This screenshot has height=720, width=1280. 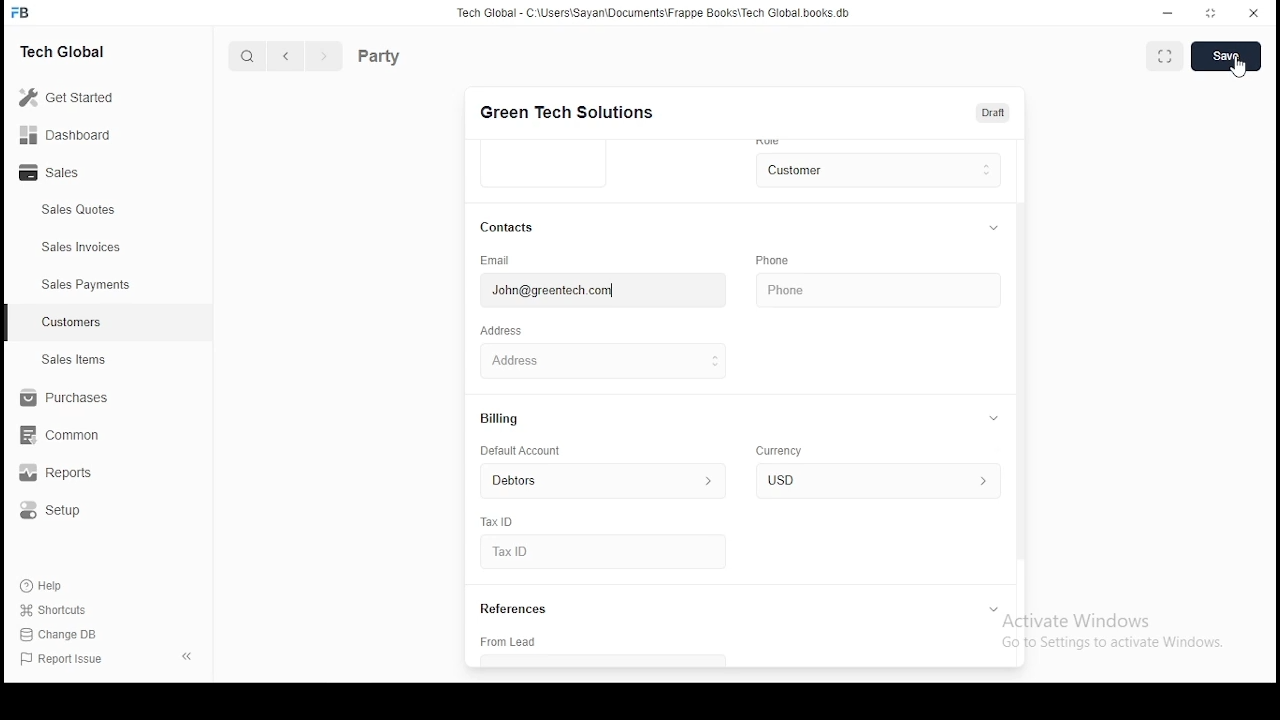 I want to click on common, so click(x=59, y=437).